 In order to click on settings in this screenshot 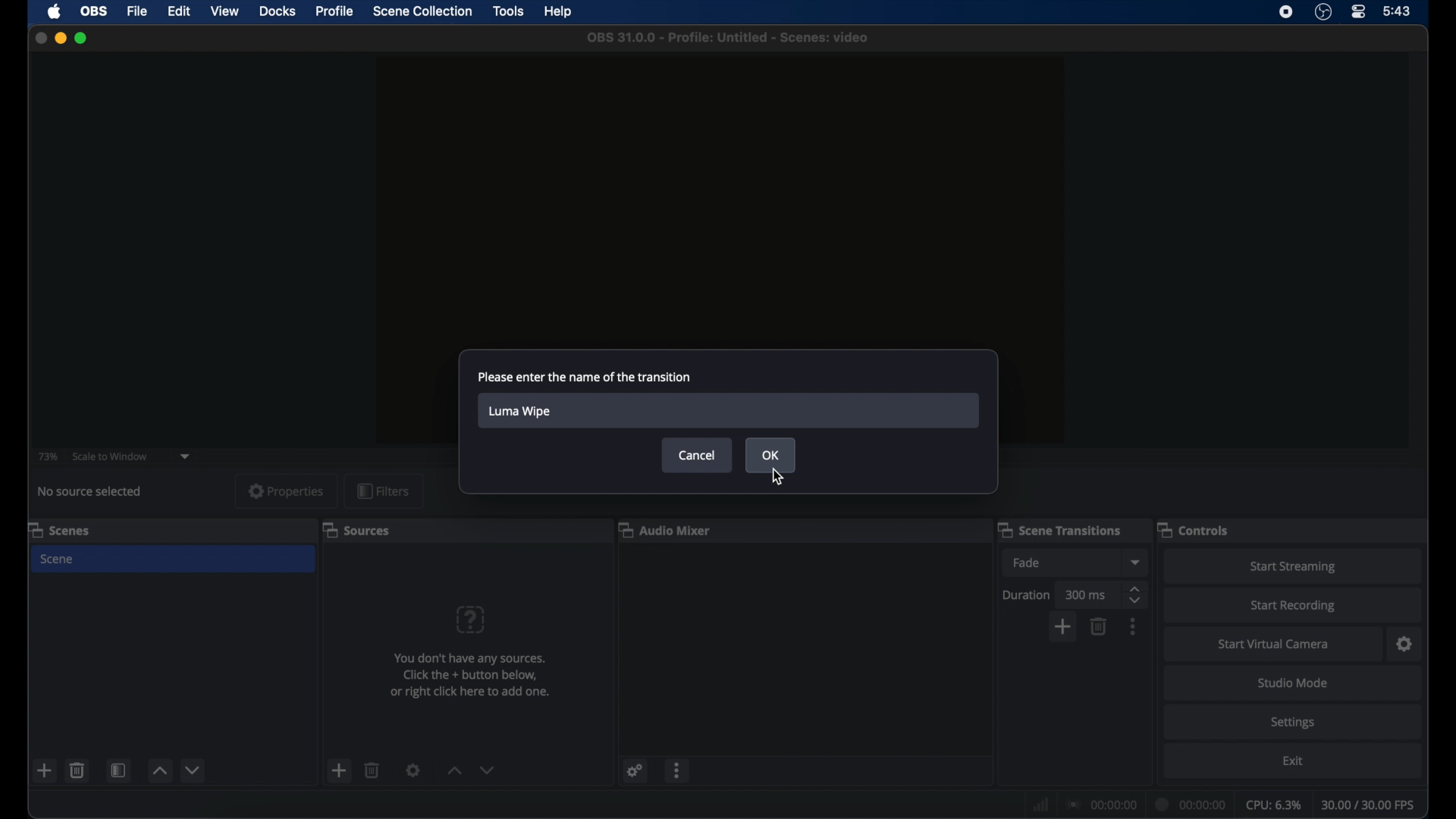, I will do `click(1292, 723)`.